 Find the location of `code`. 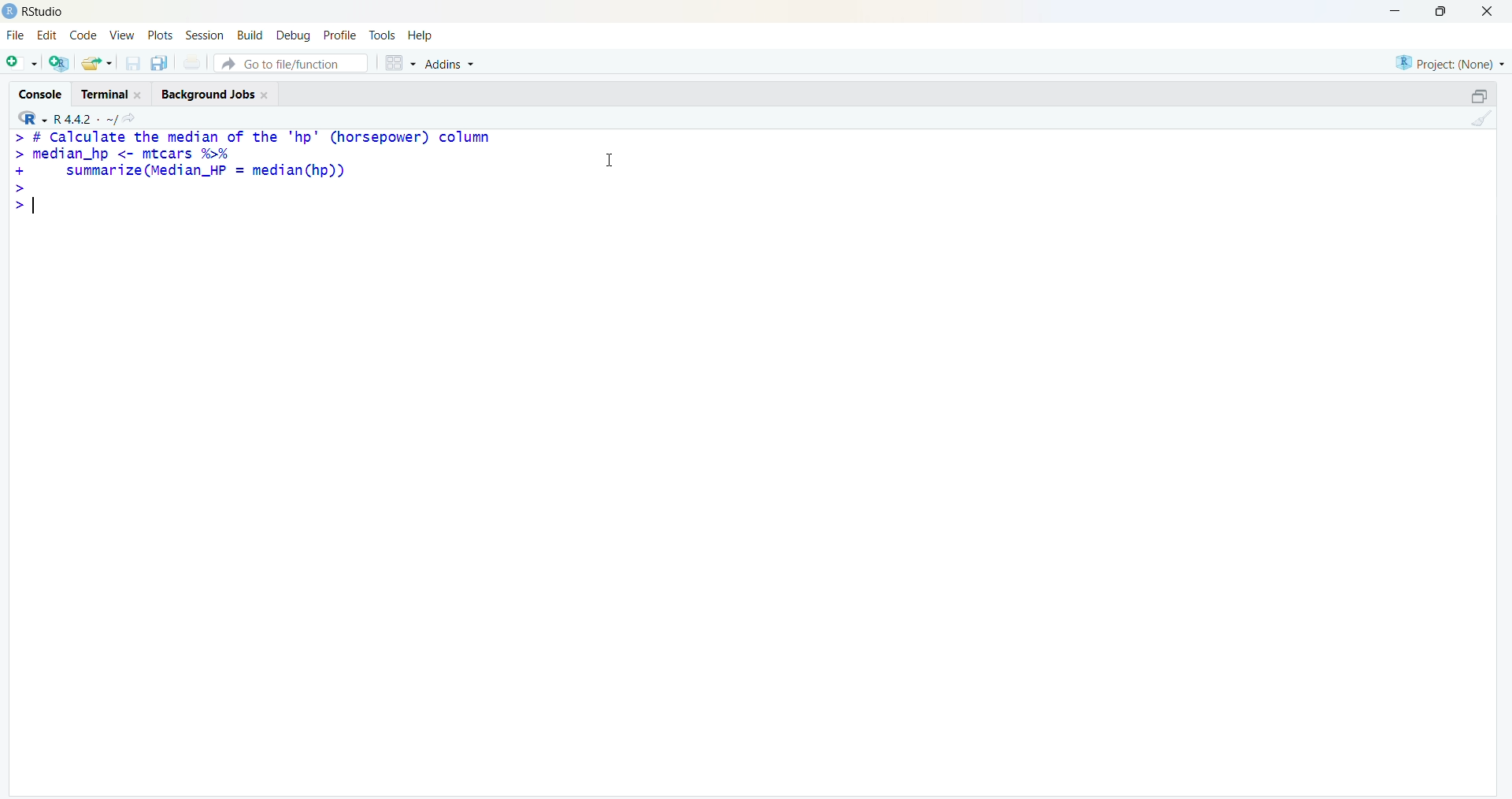

code is located at coordinates (83, 35).